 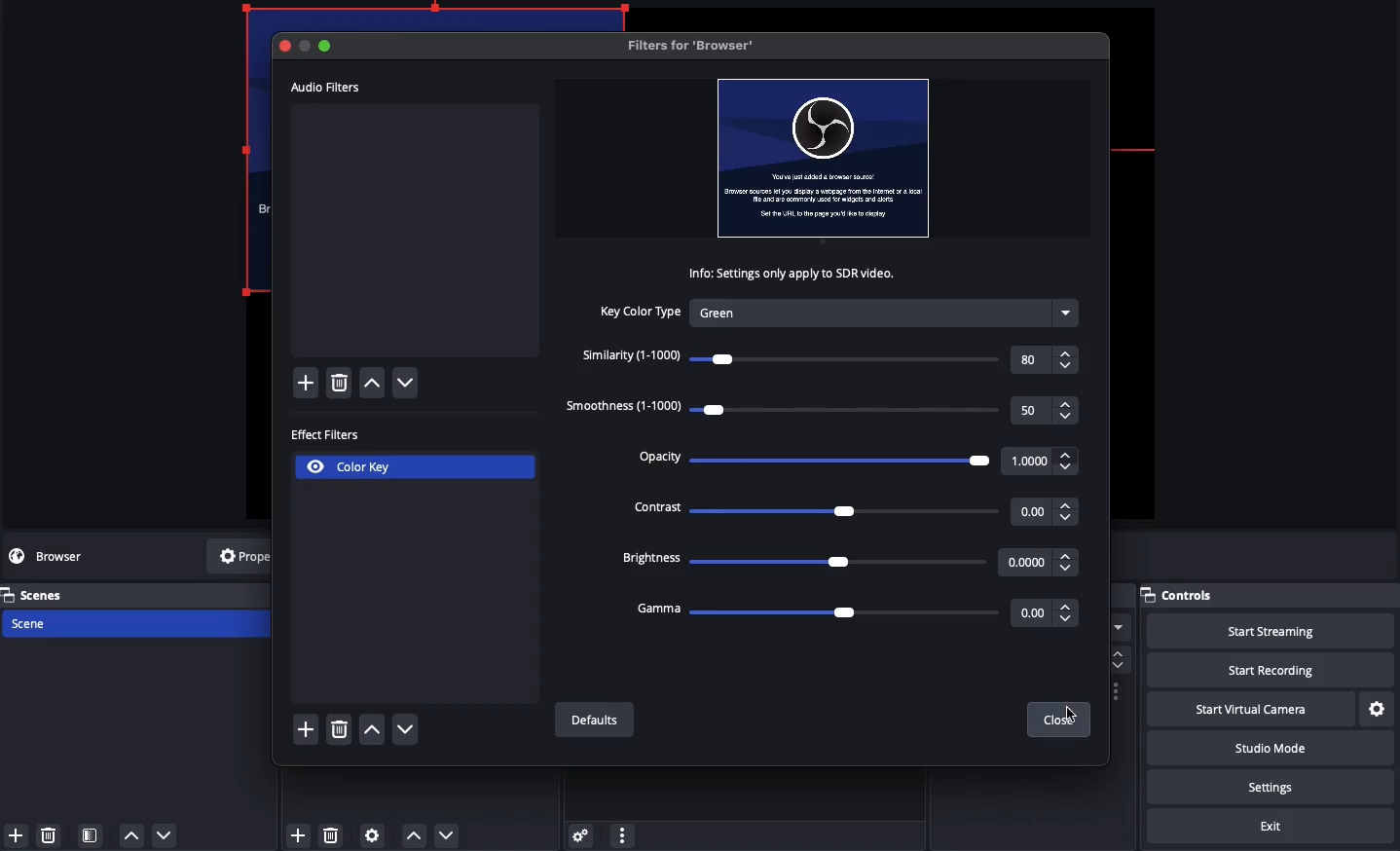 I want to click on Filters for browser, so click(x=696, y=45).